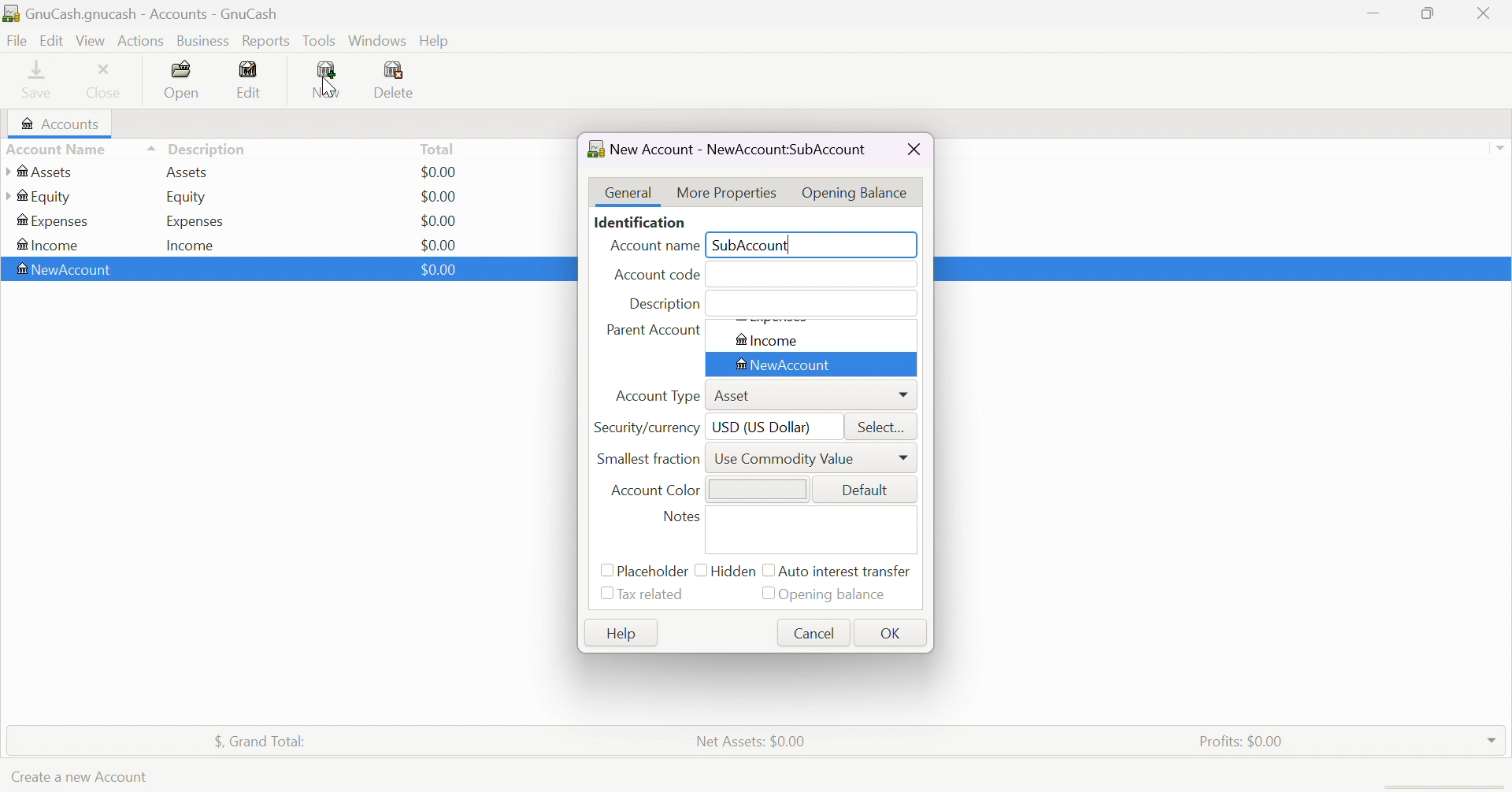 This screenshot has height=792, width=1512. I want to click on Checkbox, so click(606, 571).